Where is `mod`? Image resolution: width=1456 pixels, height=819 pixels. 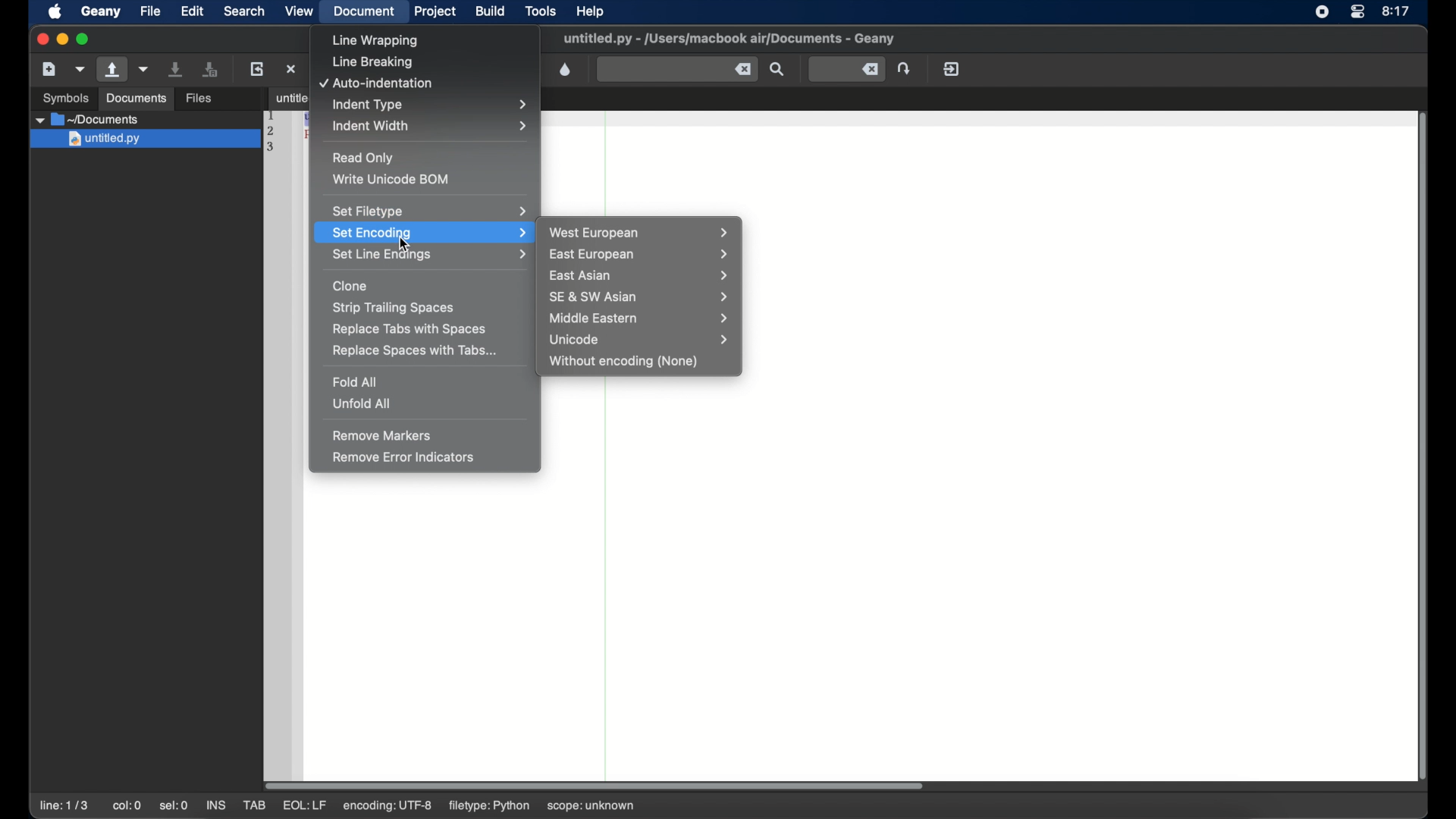
mod is located at coordinates (303, 806).